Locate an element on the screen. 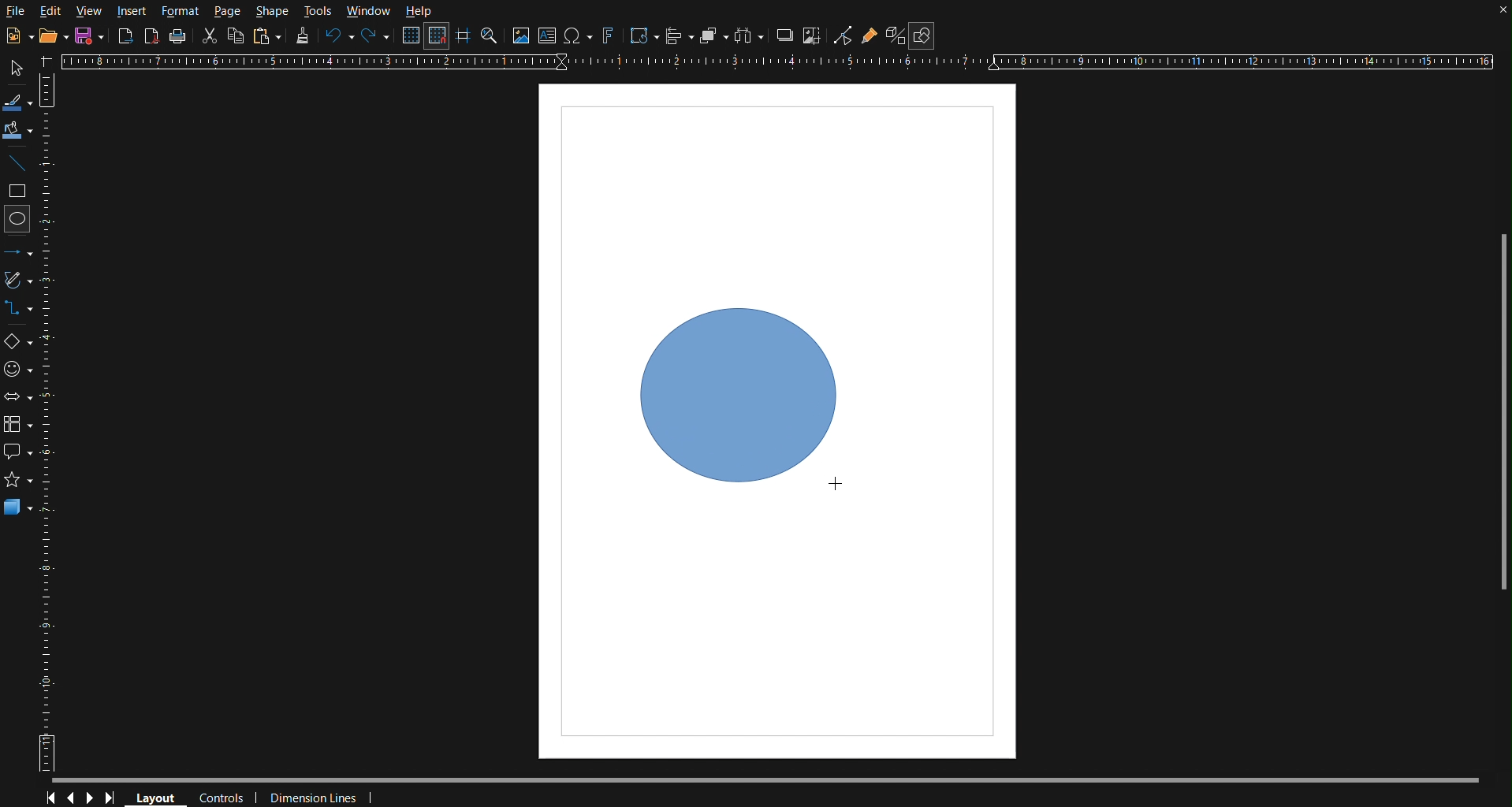 The height and width of the screenshot is (807, 1512). Fontworks is located at coordinates (608, 36).